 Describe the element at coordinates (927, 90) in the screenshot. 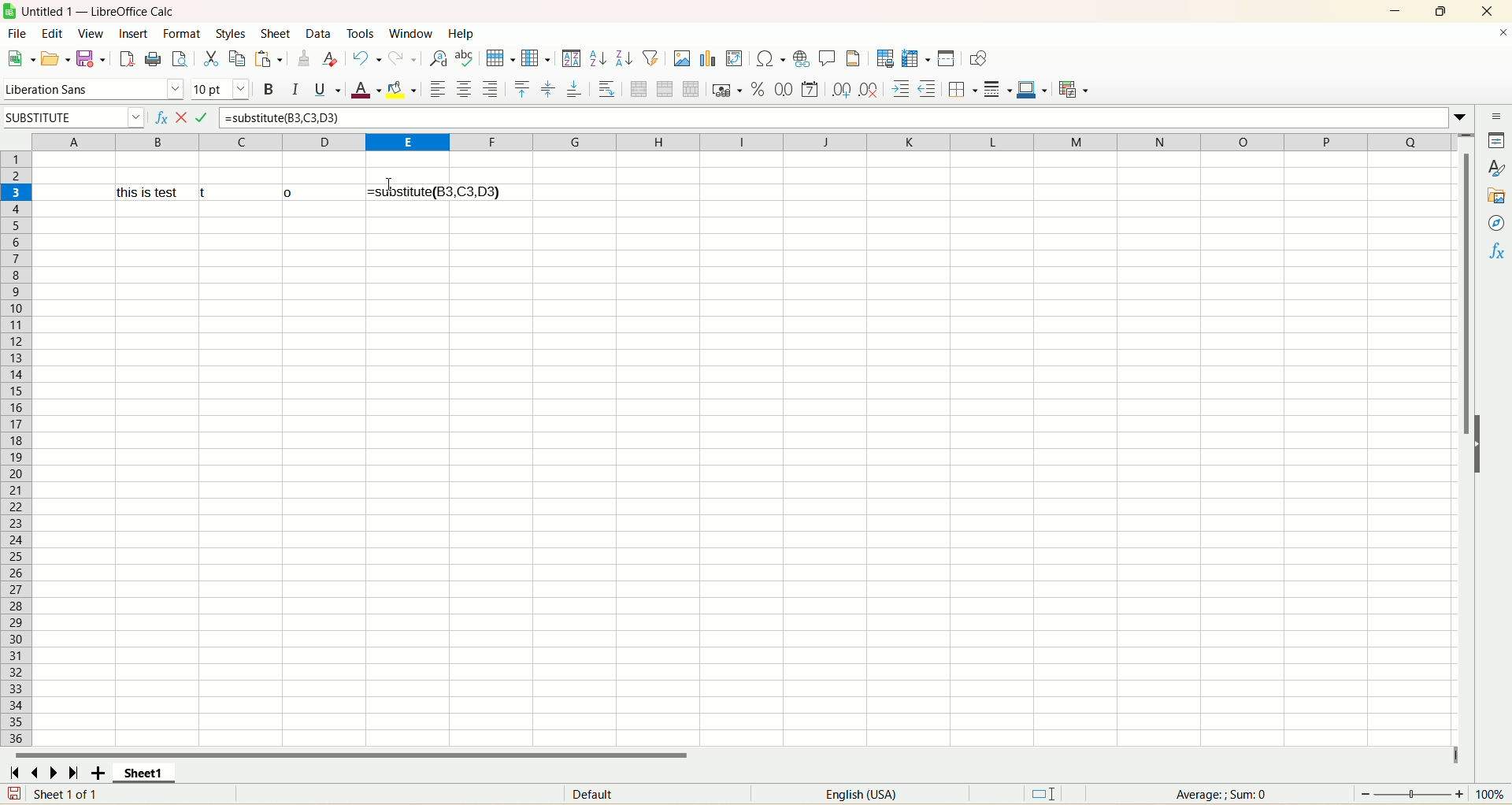

I see `decrease indent` at that location.